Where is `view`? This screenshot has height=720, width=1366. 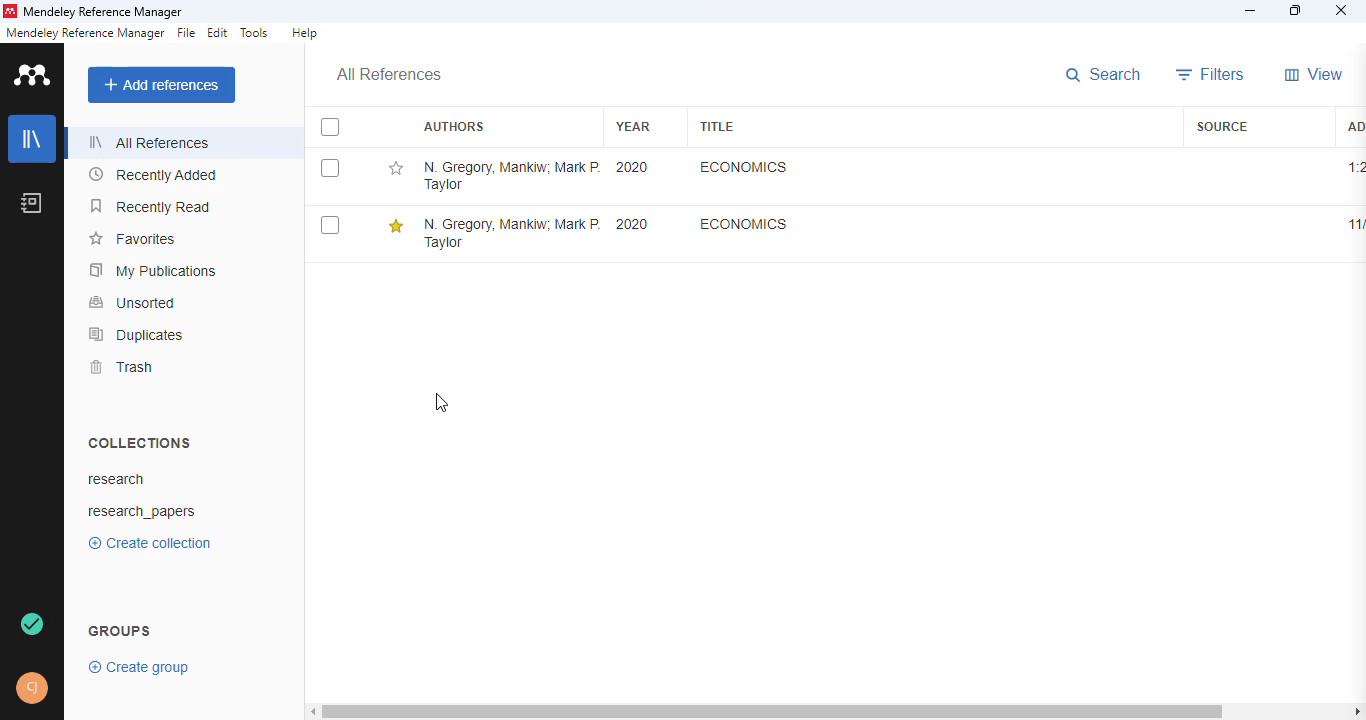 view is located at coordinates (1314, 75).